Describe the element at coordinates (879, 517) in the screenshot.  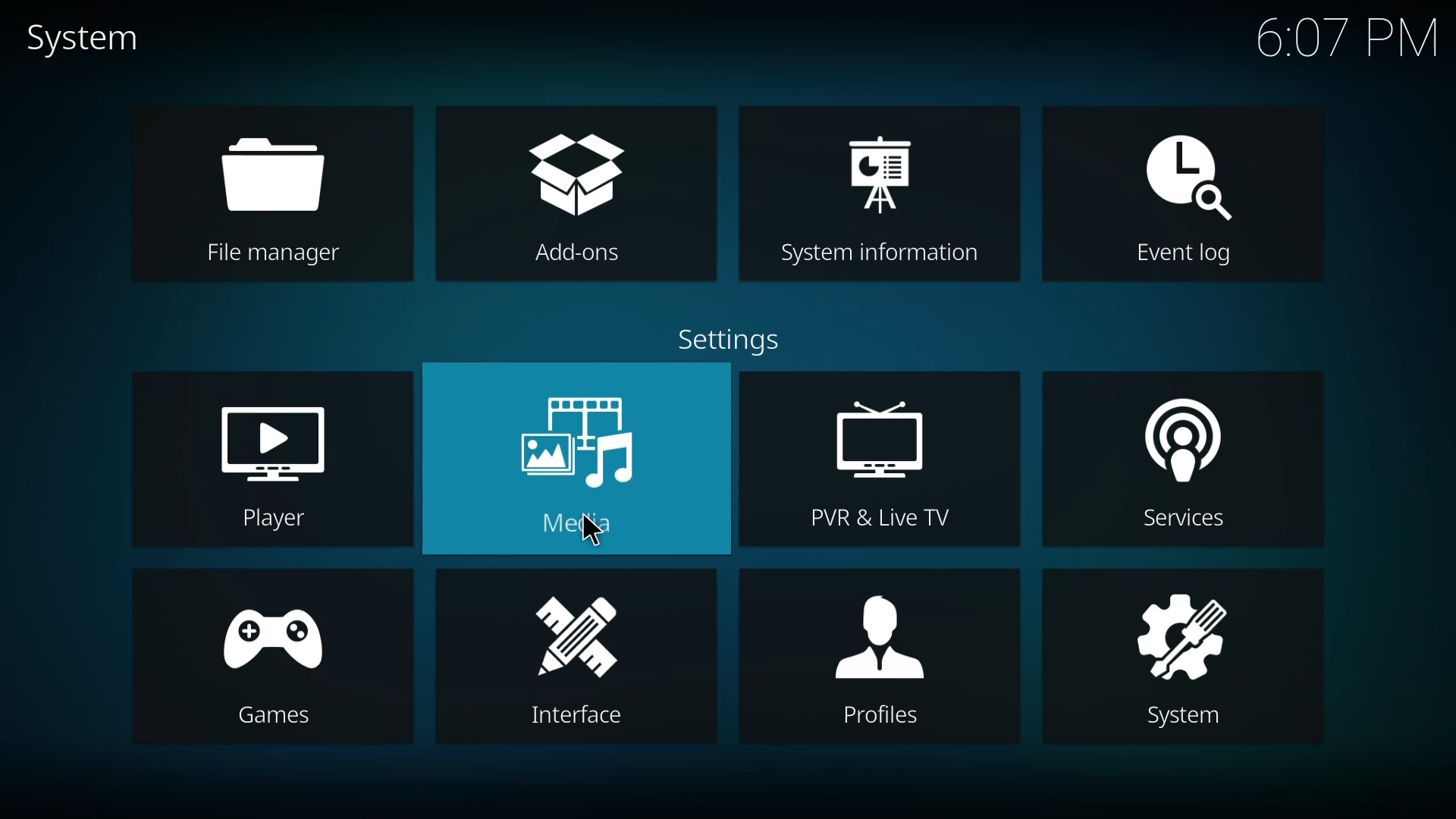
I see `PVR & Live TV` at that location.